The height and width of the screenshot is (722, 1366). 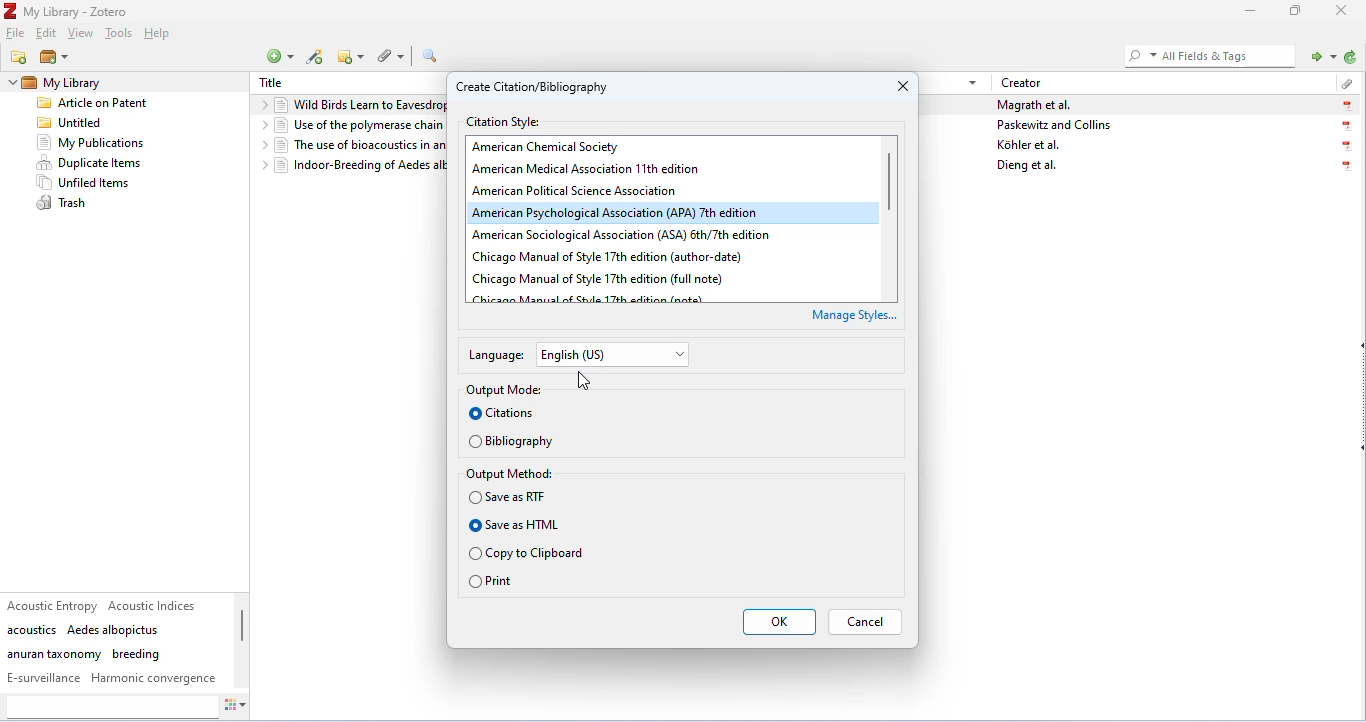 What do you see at coordinates (891, 187) in the screenshot?
I see `vertical slider` at bounding box center [891, 187].